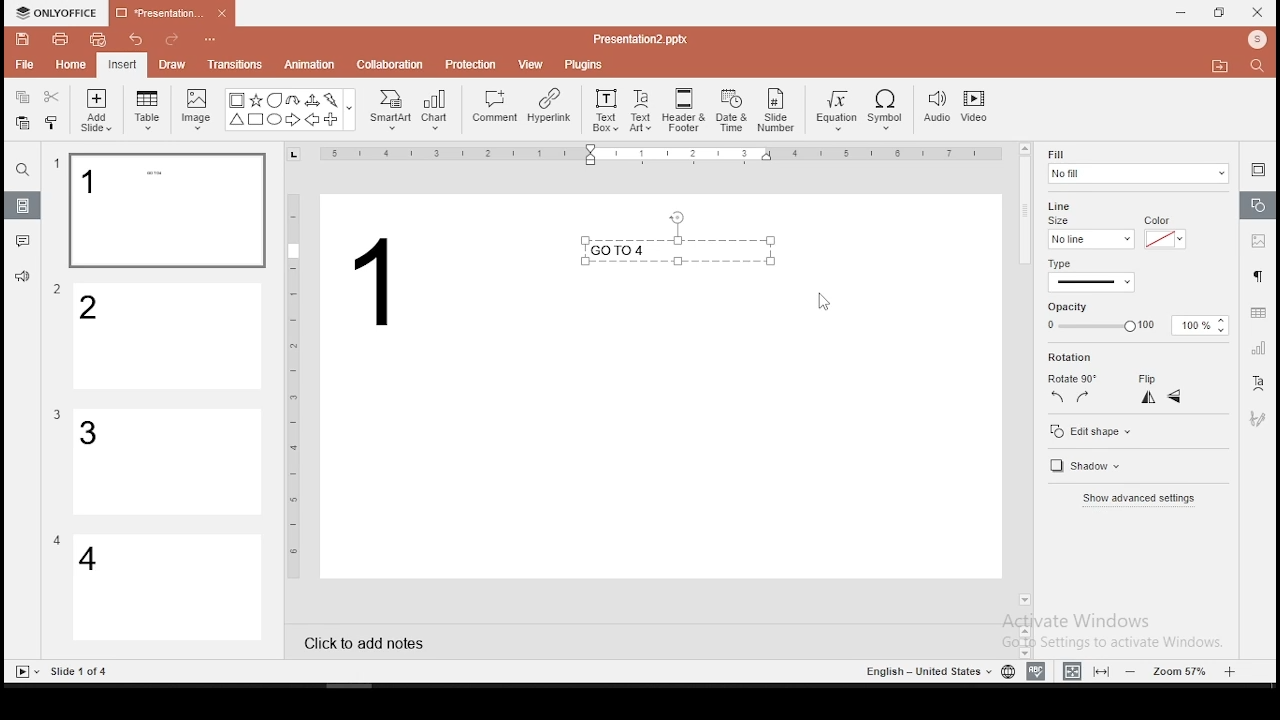 This screenshot has height=720, width=1280. What do you see at coordinates (1084, 396) in the screenshot?
I see `rotate 90 clockwise` at bounding box center [1084, 396].